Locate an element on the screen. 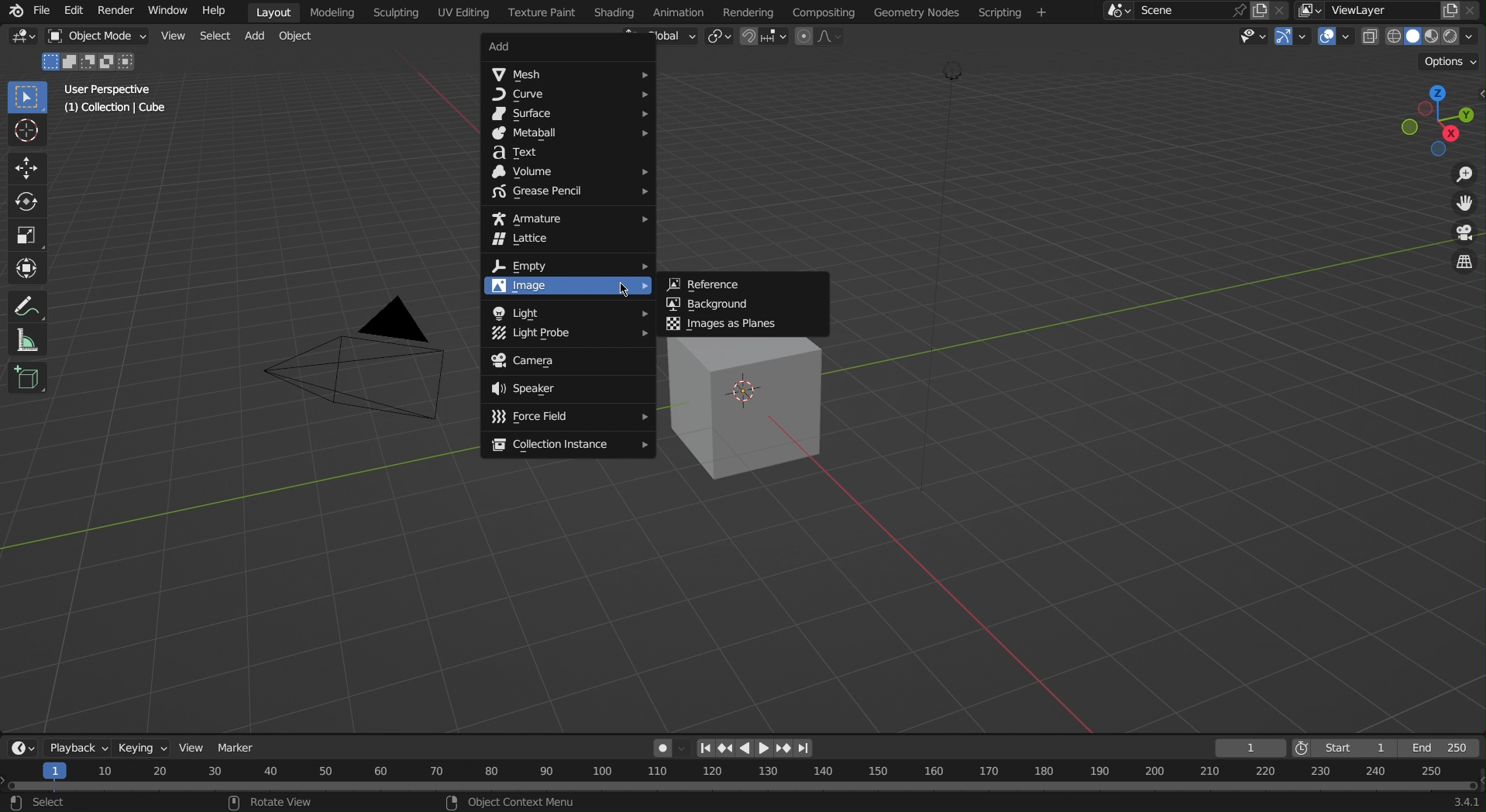  ViewLayer is located at coordinates (1391, 11).